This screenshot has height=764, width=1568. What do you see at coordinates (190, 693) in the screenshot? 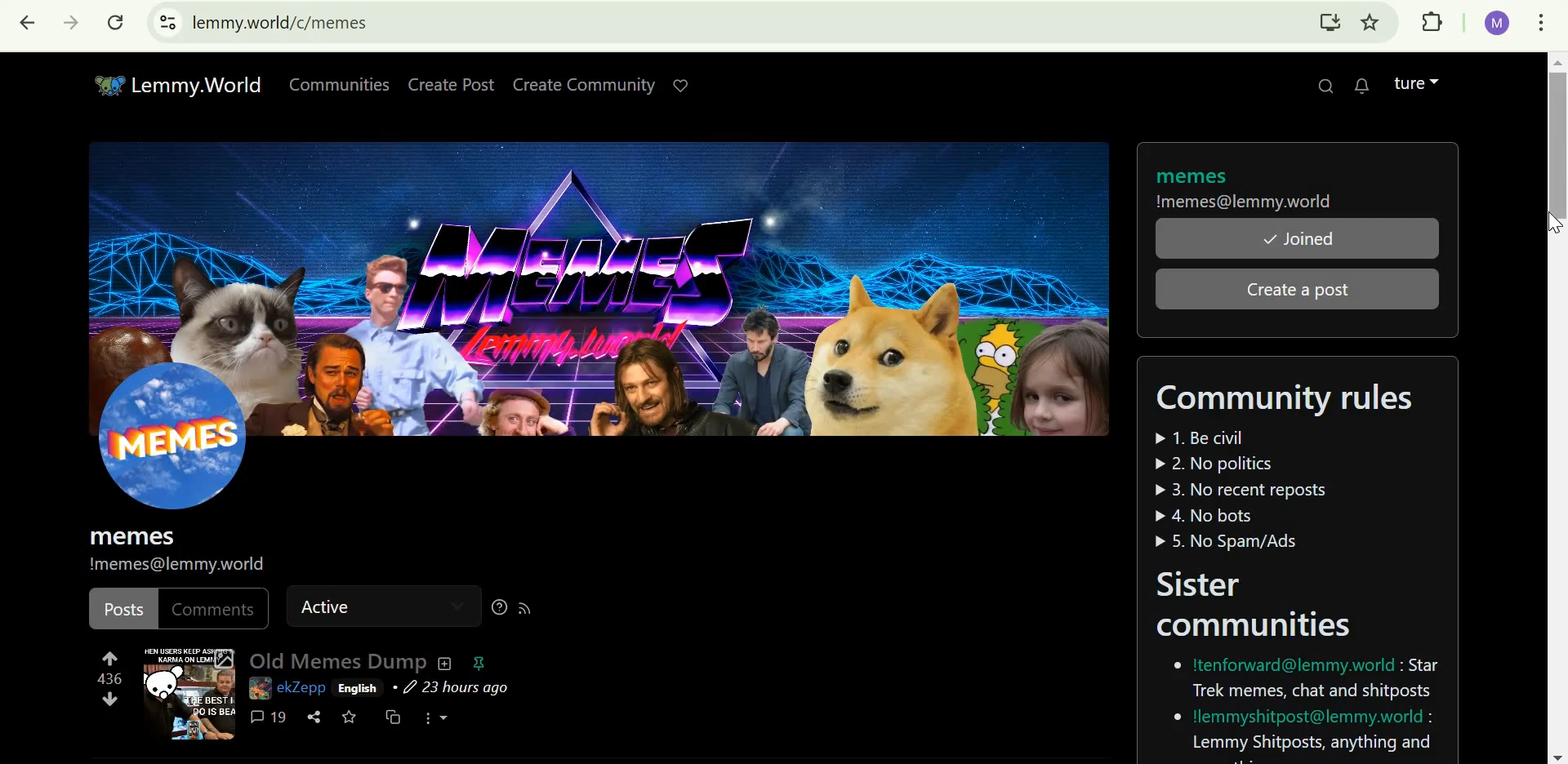
I see `expand here` at bounding box center [190, 693].